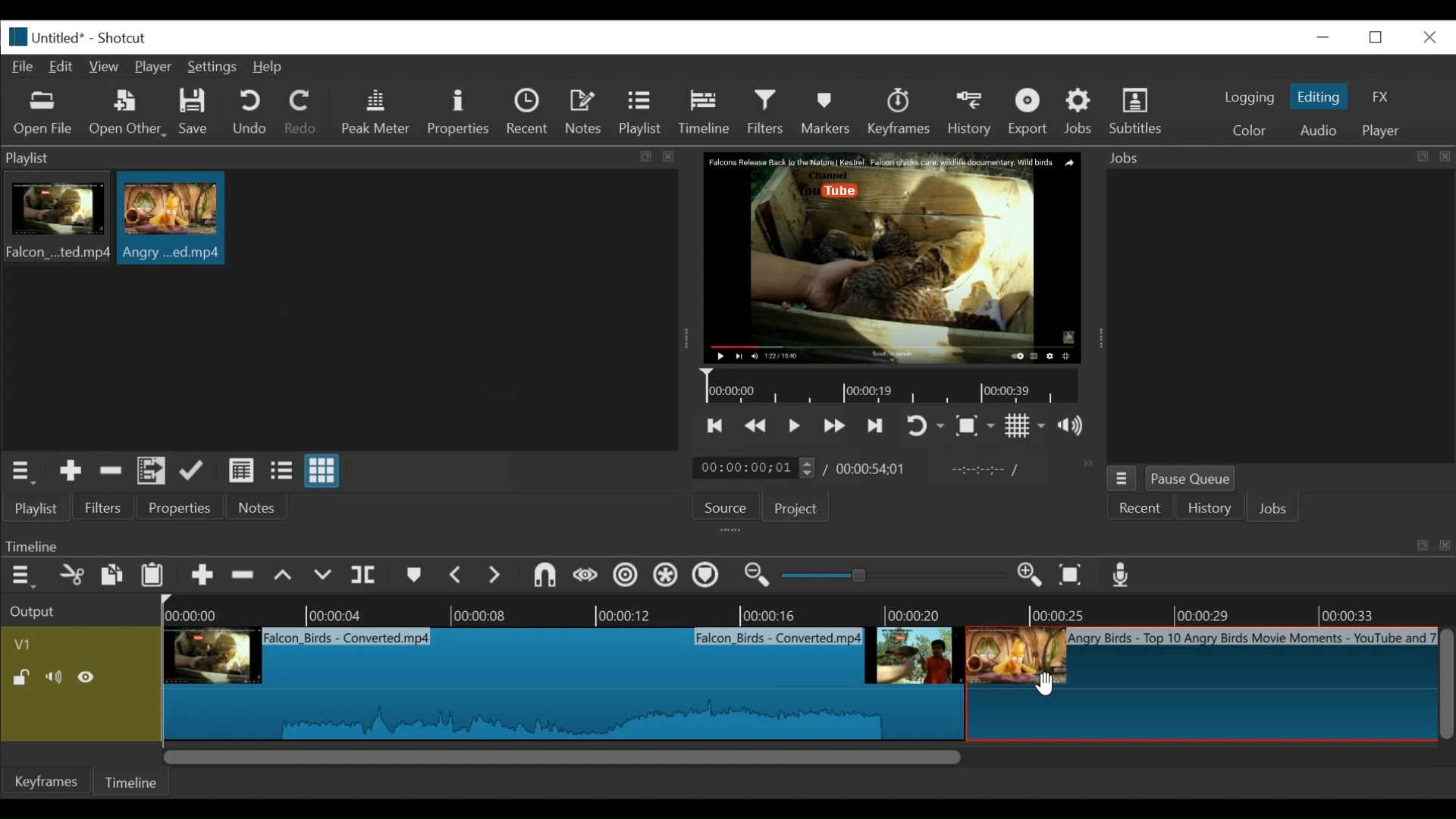 This screenshot has width=1456, height=819. Describe the element at coordinates (413, 579) in the screenshot. I see `markers` at that location.